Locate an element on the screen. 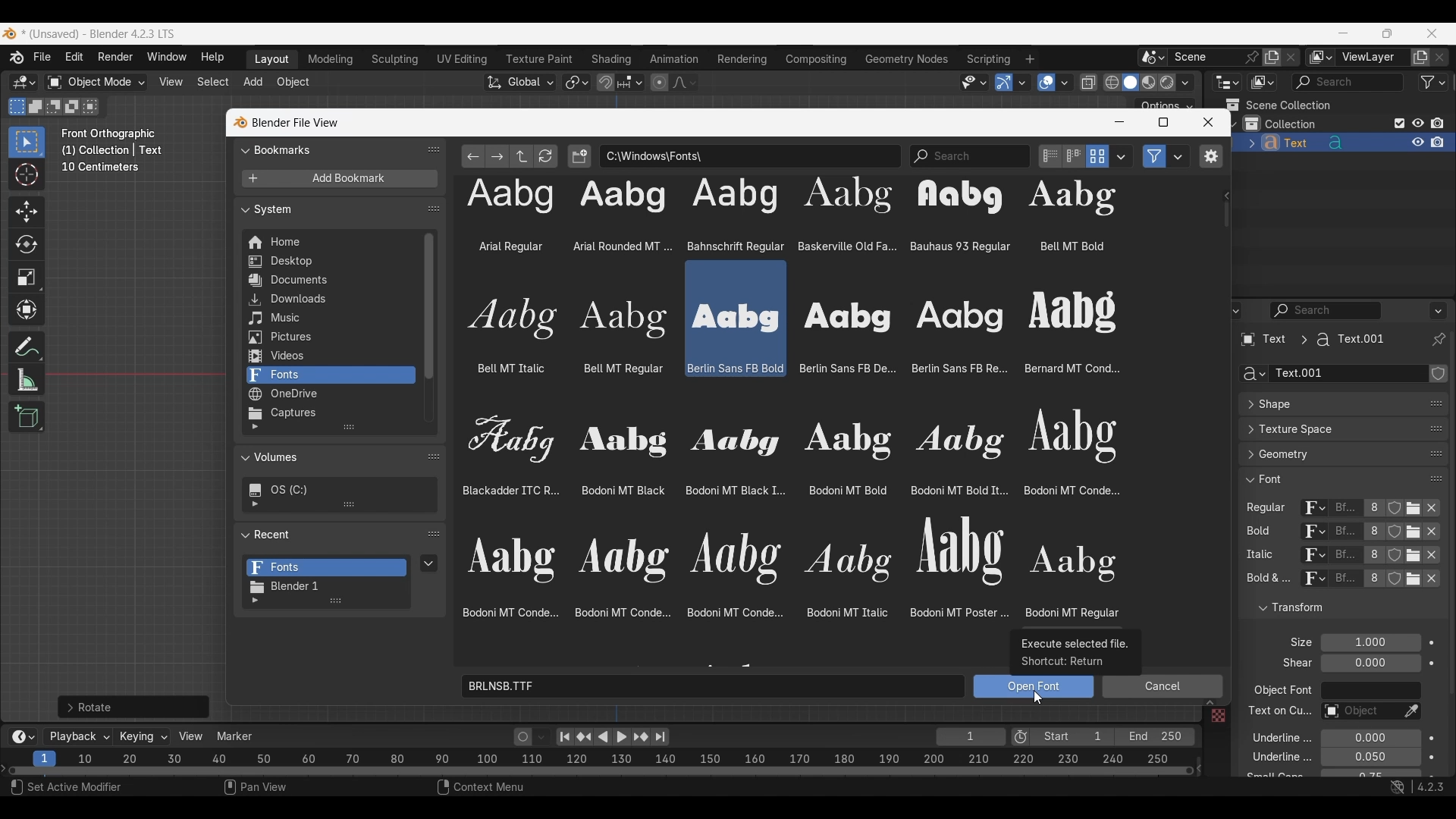  OneDrive folder is located at coordinates (329, 394).